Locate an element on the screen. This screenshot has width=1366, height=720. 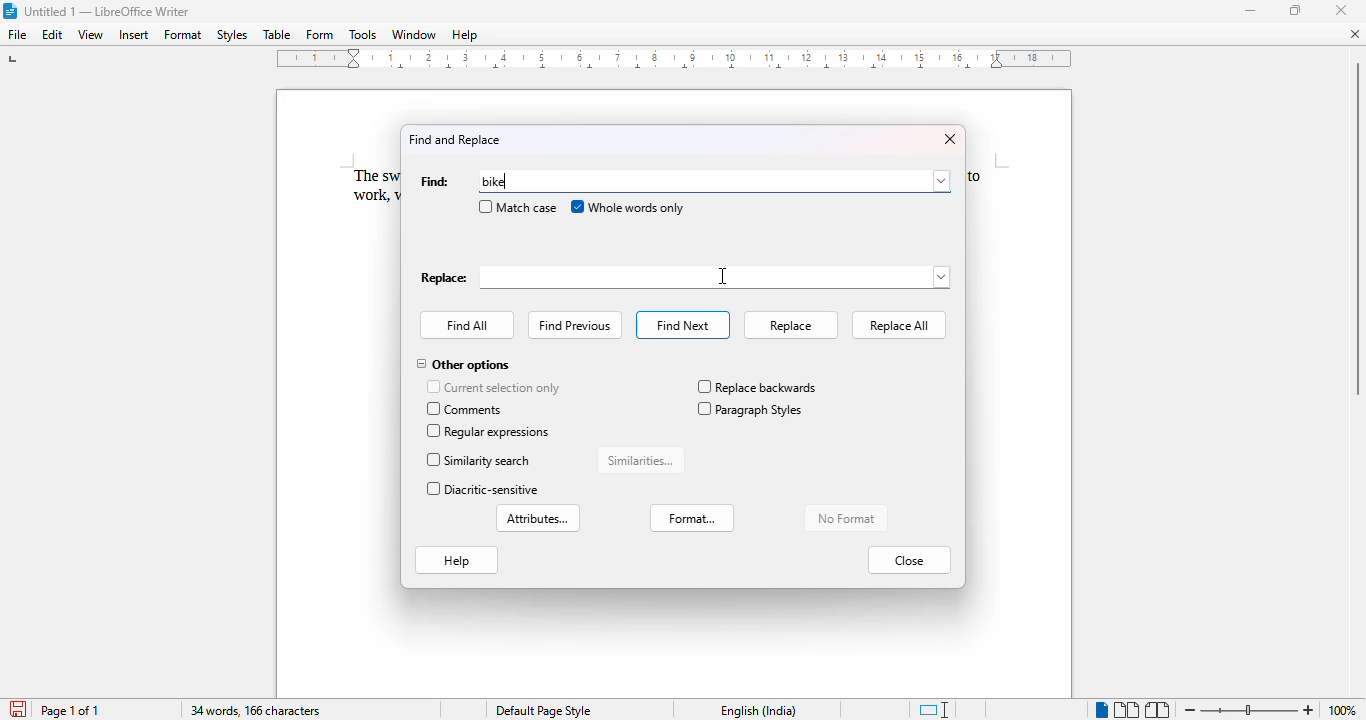
to is located at coordinates (974, 176).